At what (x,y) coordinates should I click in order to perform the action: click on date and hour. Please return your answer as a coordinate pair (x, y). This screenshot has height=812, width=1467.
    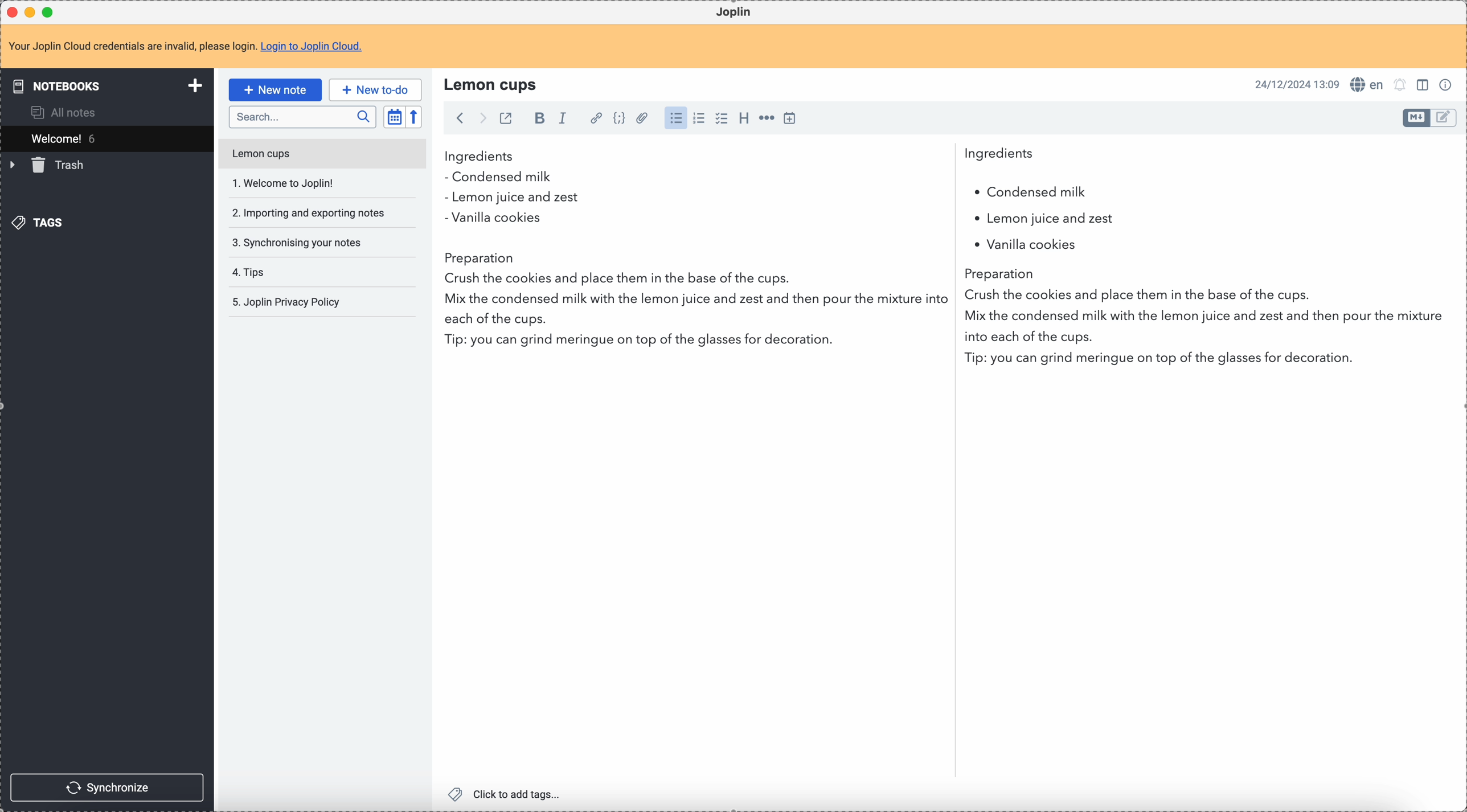
    Looking at the image, I should click on (1297, 84).